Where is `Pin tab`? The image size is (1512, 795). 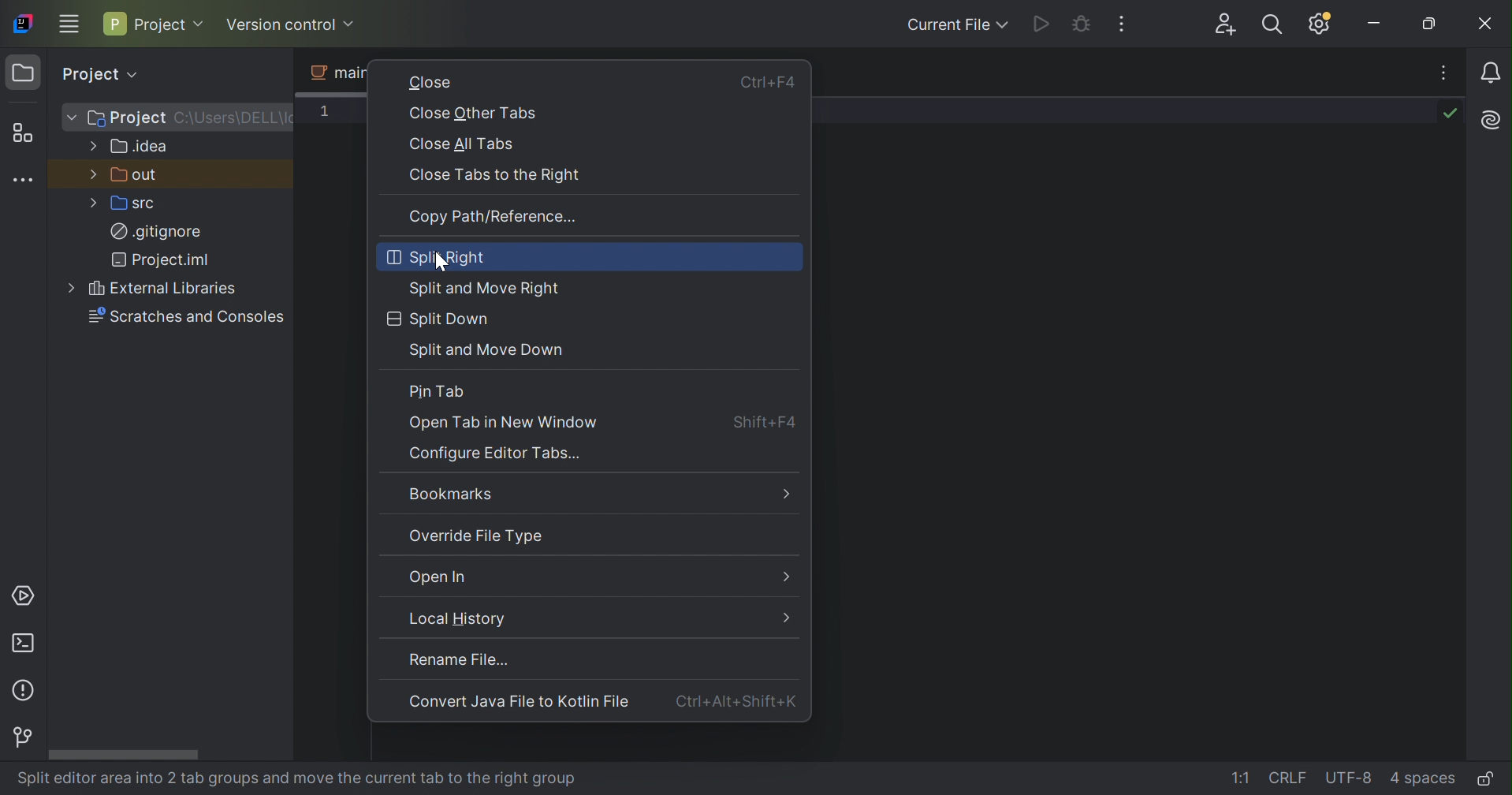
Pin tab is located at coordinates (434, 392).